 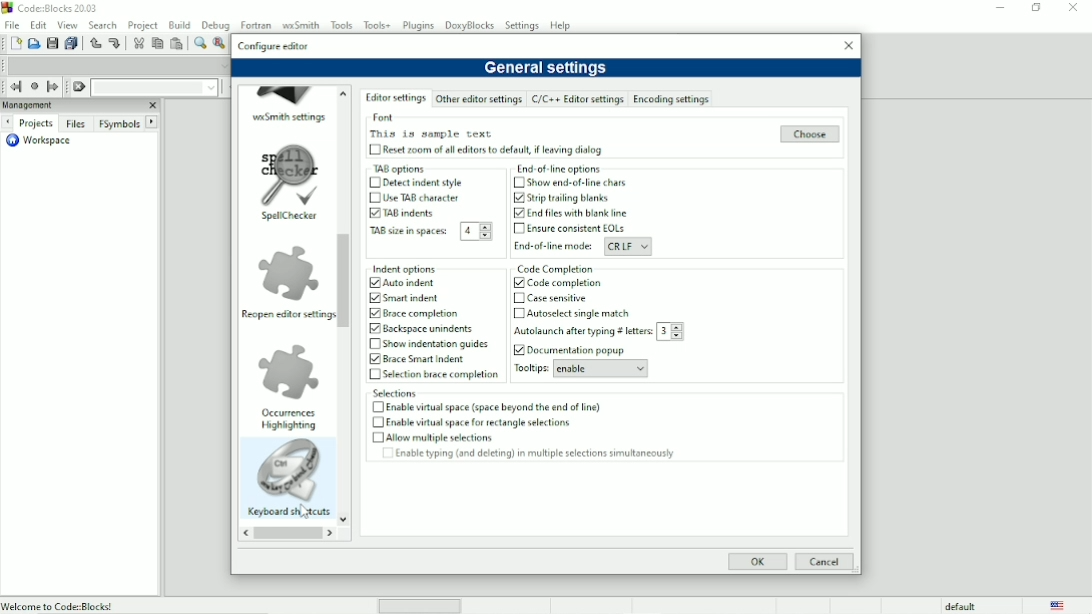 What do you see at coordinates (484, 231) in the screenshot?
I see `Drop down` at bounding box center [484, 231].